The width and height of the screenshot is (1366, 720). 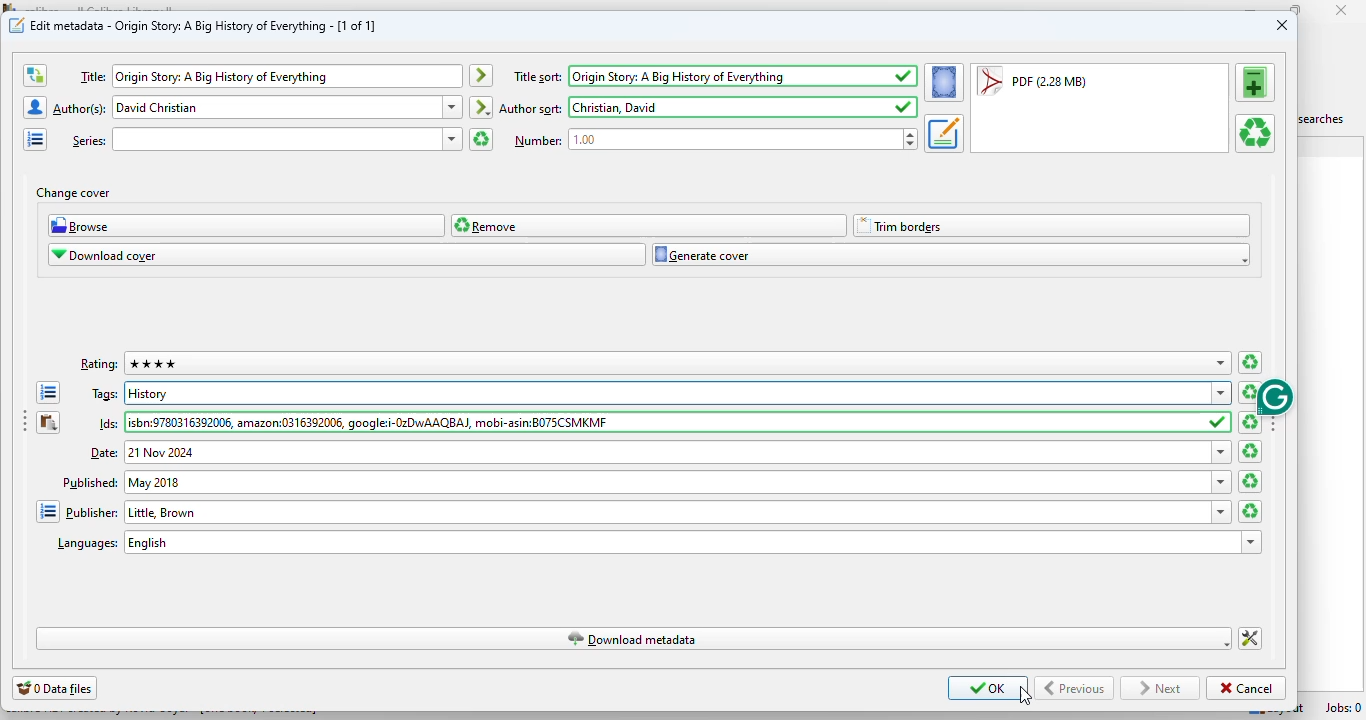 I want to click on dropdown, so click(x=1221, y=363).